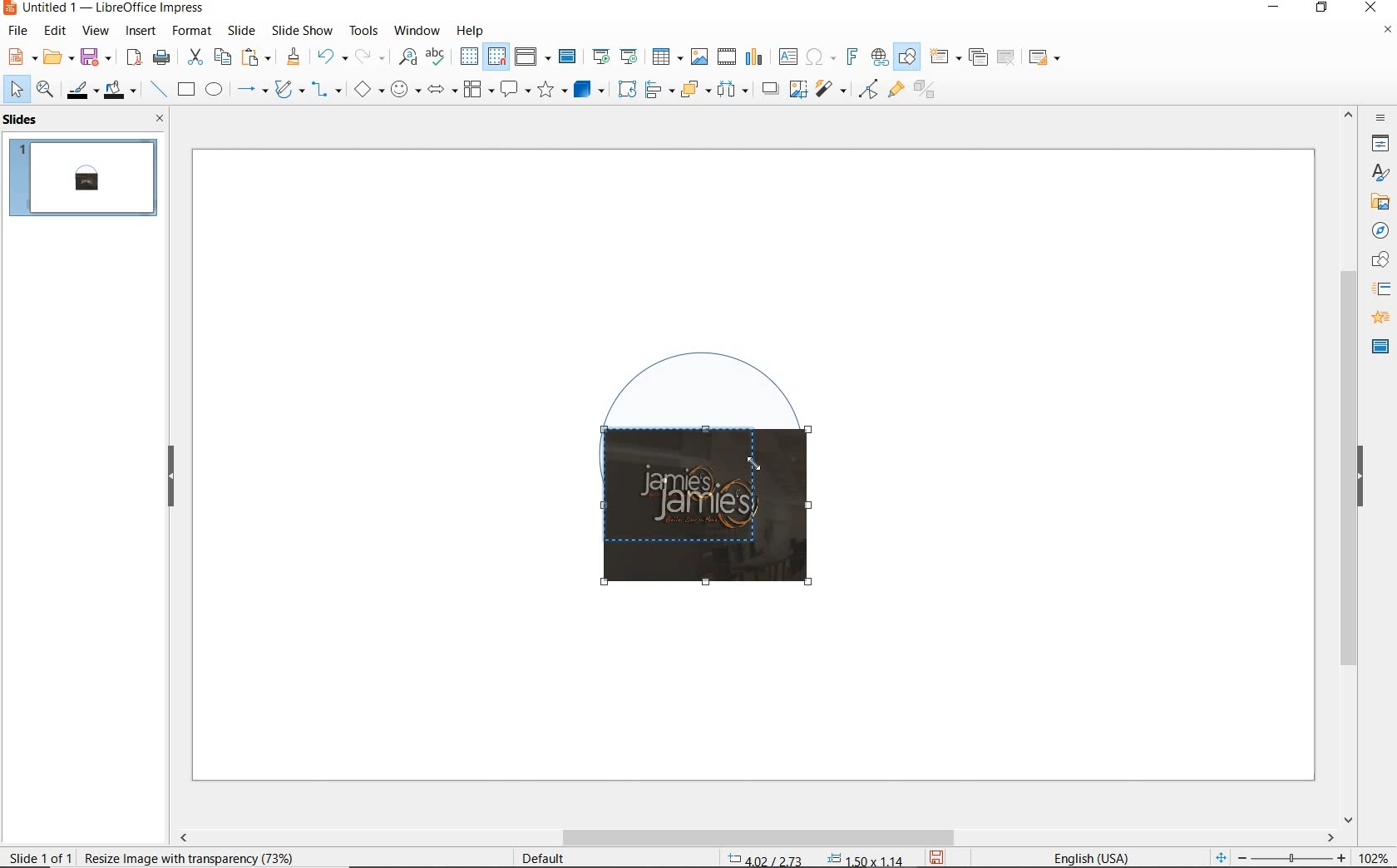  I want to click on symbol shapes, so click(405, 89).